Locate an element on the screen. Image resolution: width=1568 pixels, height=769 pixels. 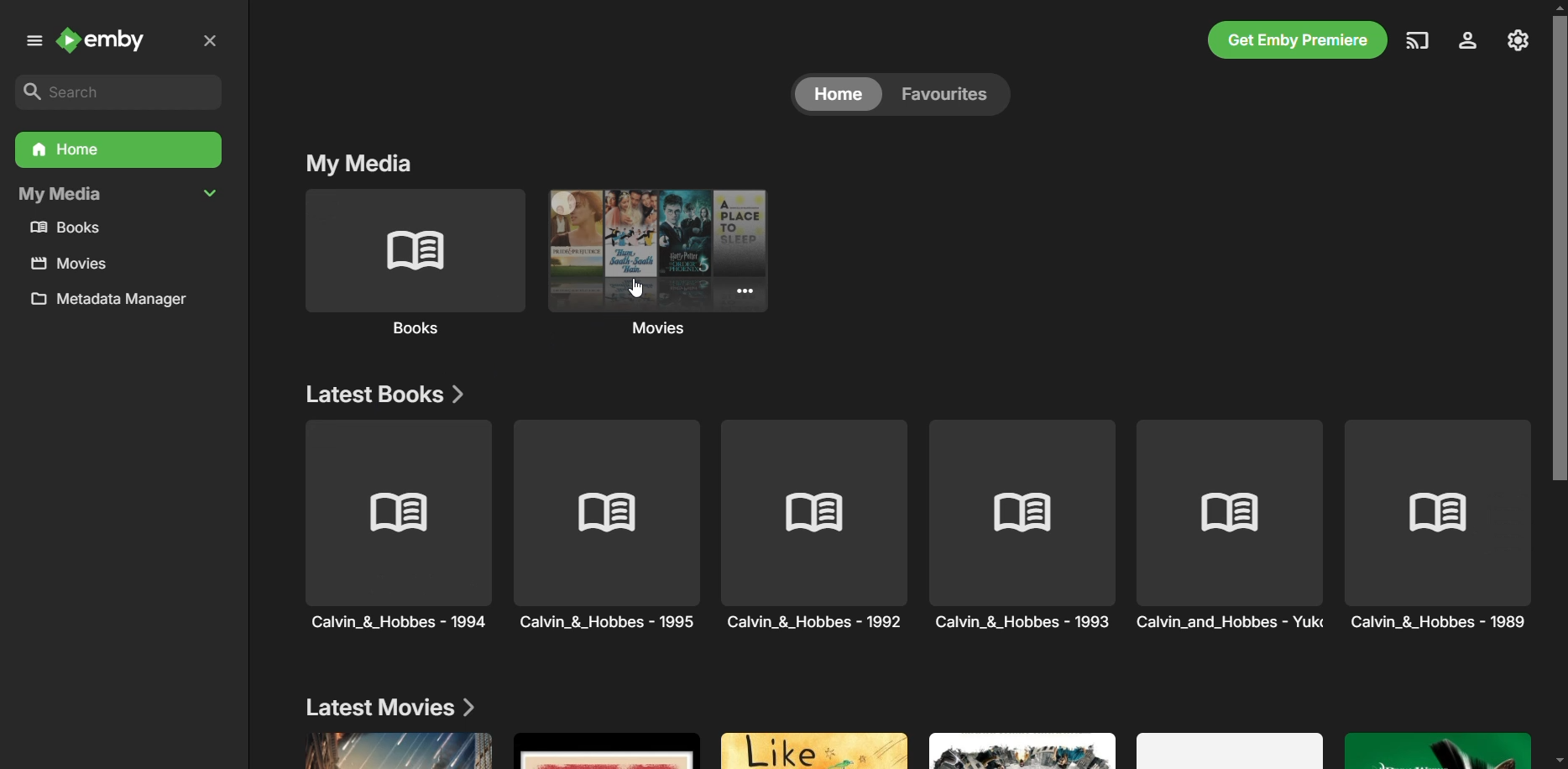
Settings is located at coordinates (1465, 42).